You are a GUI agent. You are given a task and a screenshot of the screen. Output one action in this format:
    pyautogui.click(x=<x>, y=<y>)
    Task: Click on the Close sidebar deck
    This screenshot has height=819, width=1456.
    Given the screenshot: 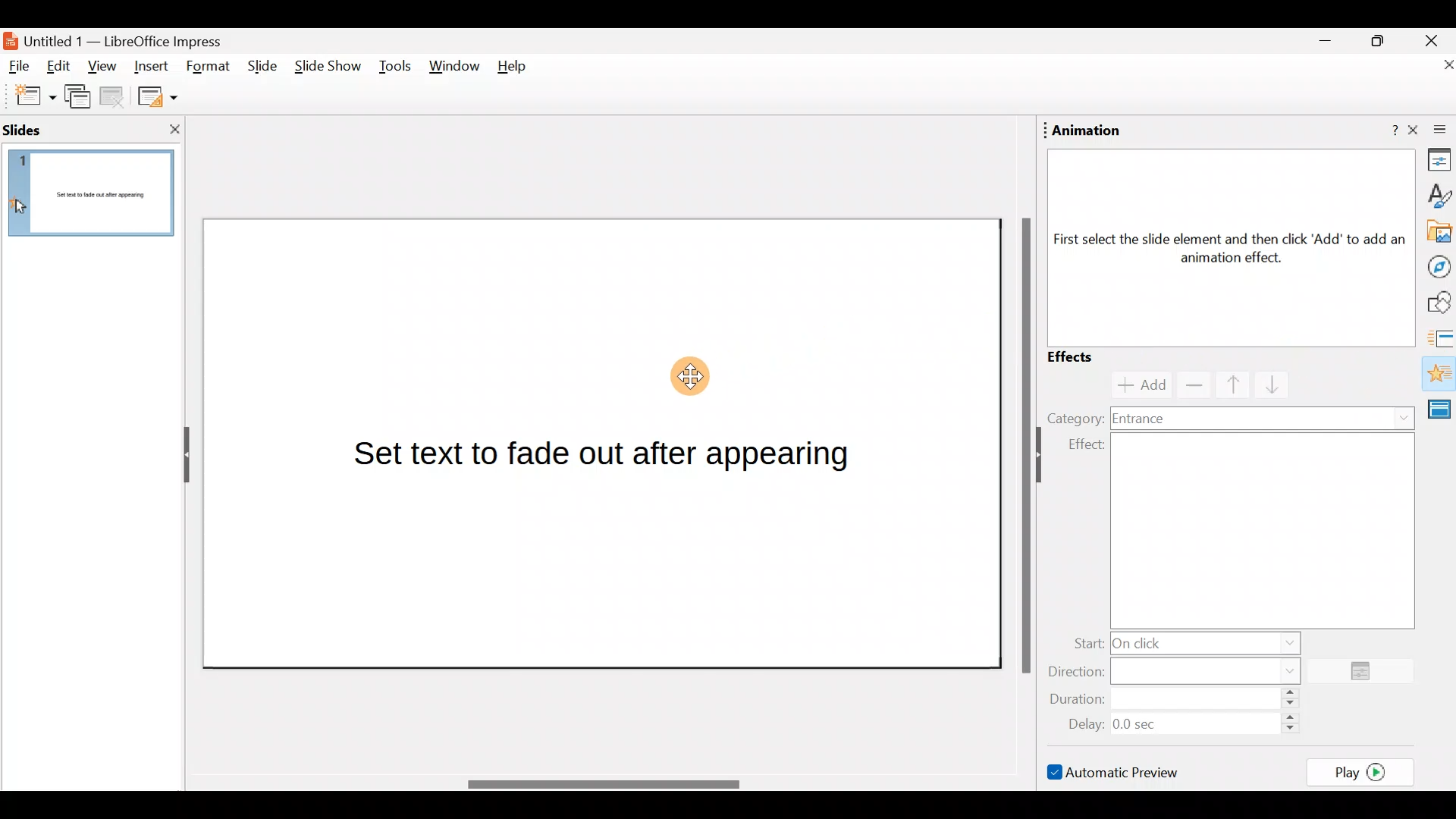 What is the action you would take?
    pyautogui.click(x=1433, y=130)
    